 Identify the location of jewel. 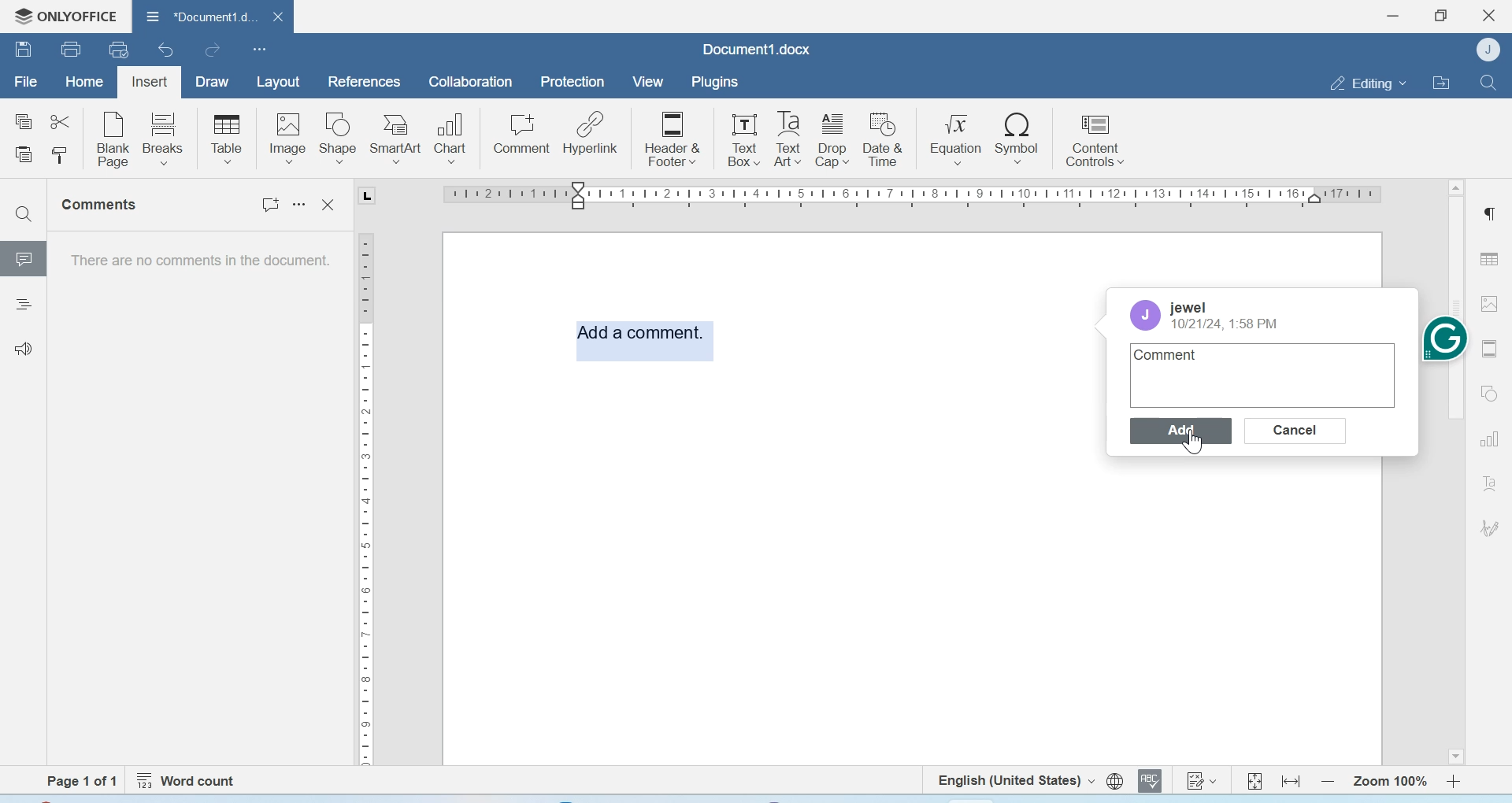
(1188, 308).